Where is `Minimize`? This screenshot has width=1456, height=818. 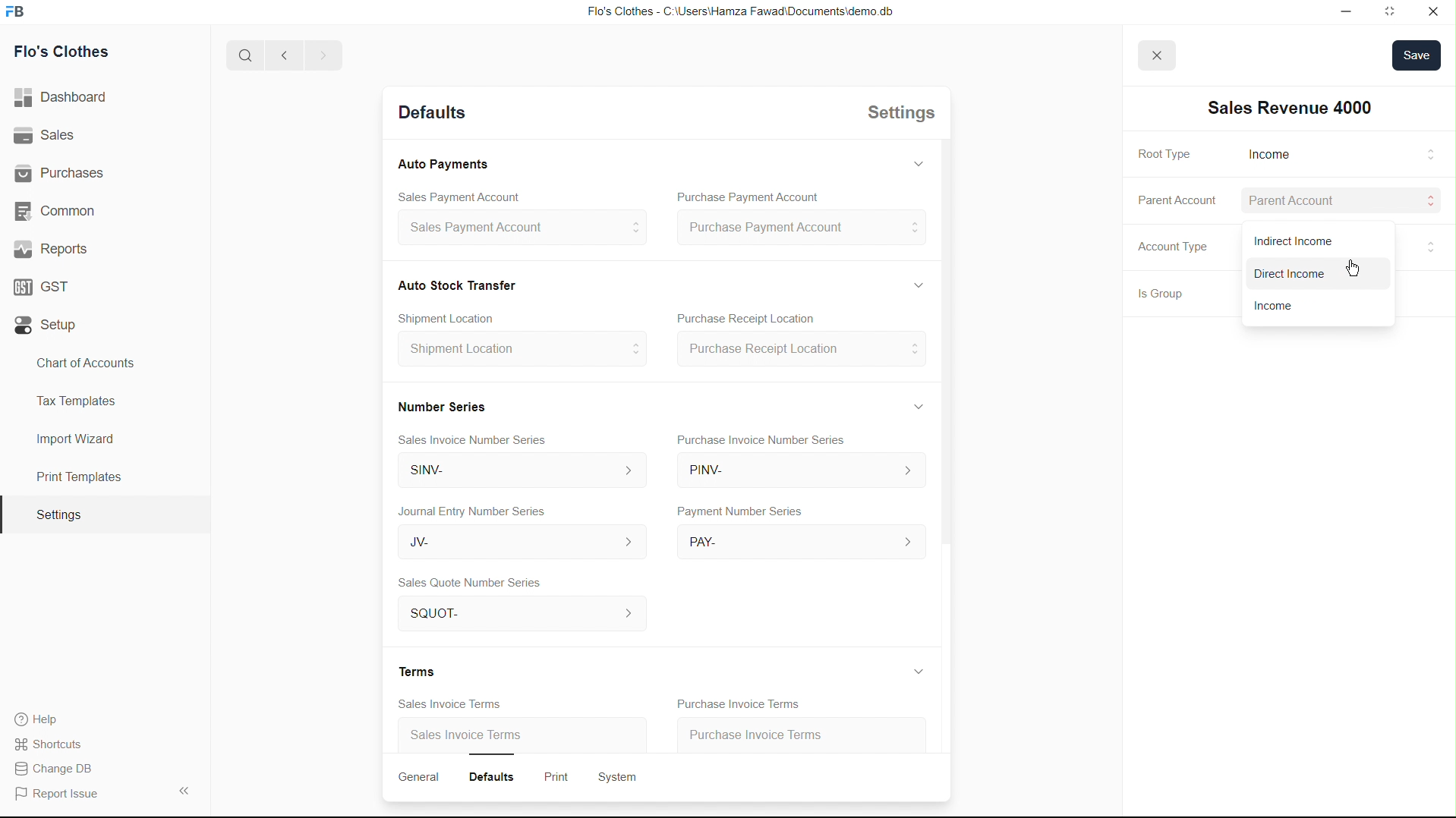 Minimize is located at coordinates (1330, 11).